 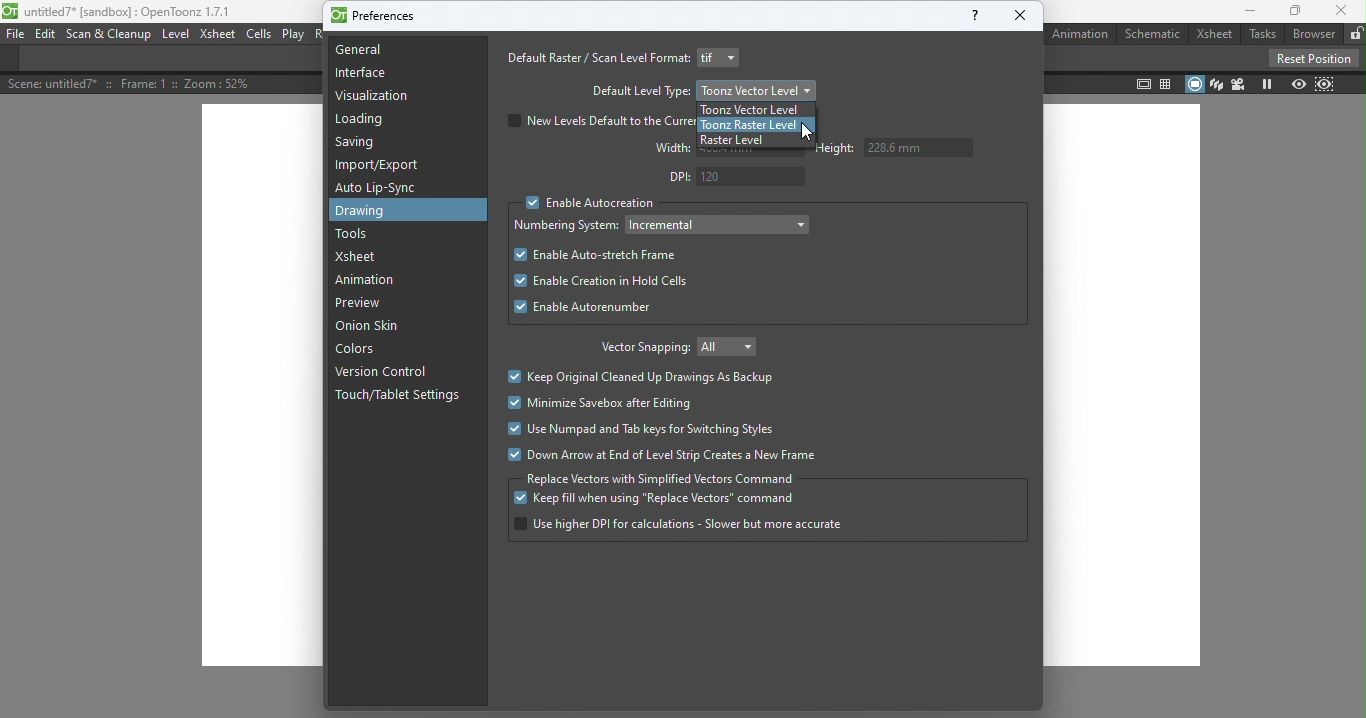 I want to click on Animation, so click(x=370, y=282).